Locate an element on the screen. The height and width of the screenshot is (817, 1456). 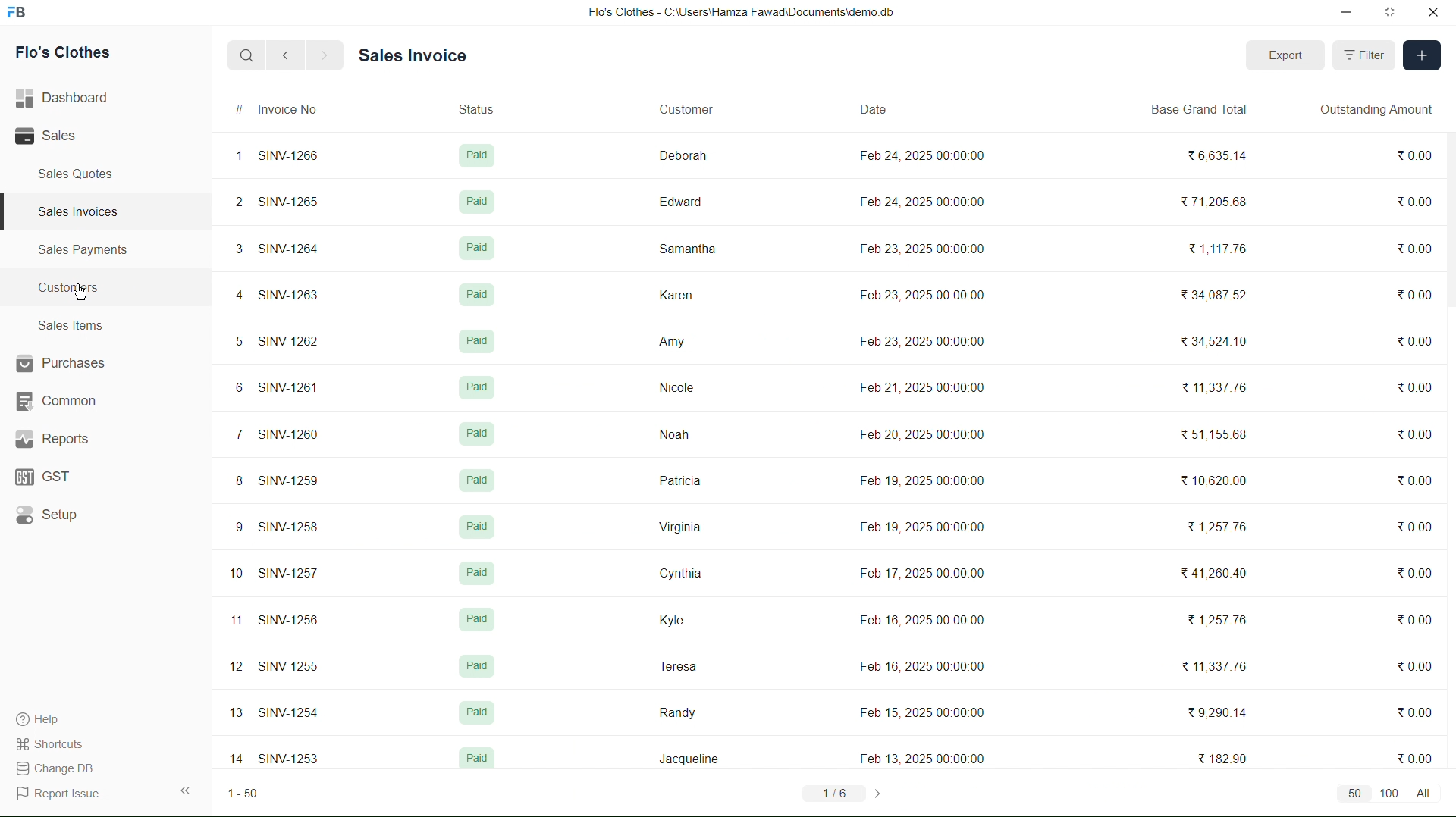
SINV-1262 is located at coordinates (286, 338).